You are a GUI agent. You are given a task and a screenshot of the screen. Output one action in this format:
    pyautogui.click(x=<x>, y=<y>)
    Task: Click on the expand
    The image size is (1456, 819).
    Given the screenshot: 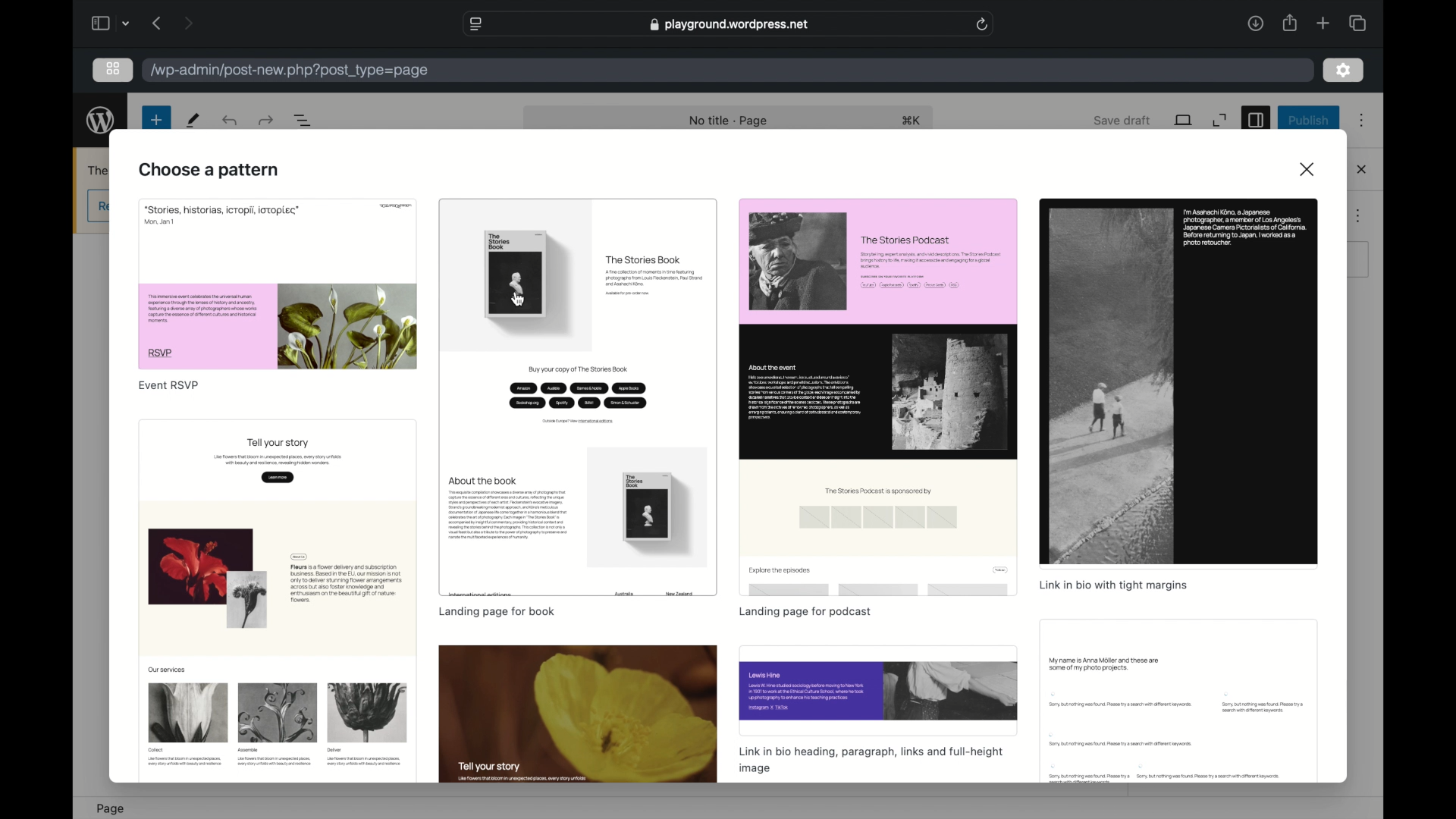 What is the action you would take?
    pyautogui.click(x=1219, y=121)
    